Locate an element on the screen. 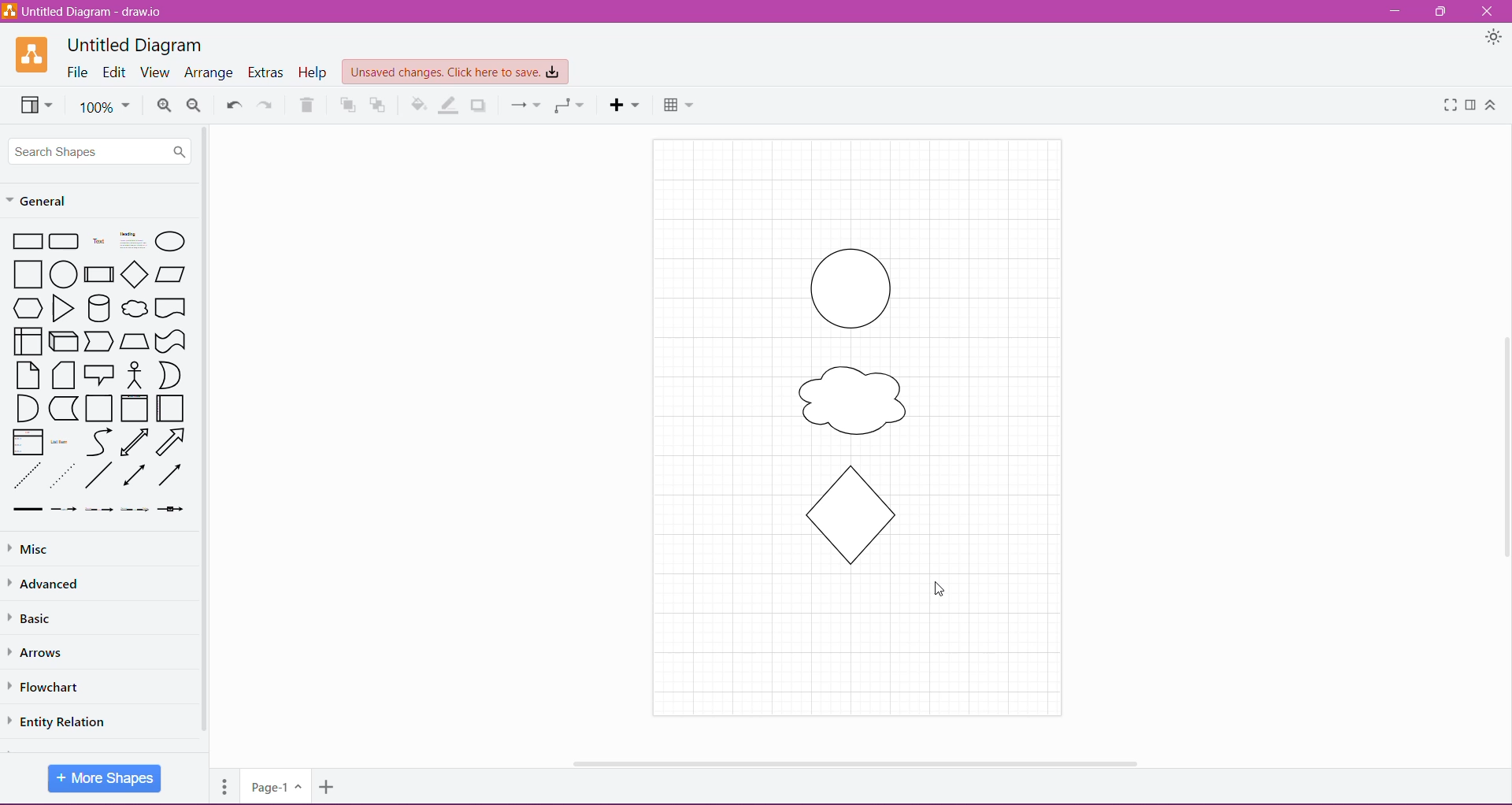  Untitled Diagram is located at coordinates (135, 45).